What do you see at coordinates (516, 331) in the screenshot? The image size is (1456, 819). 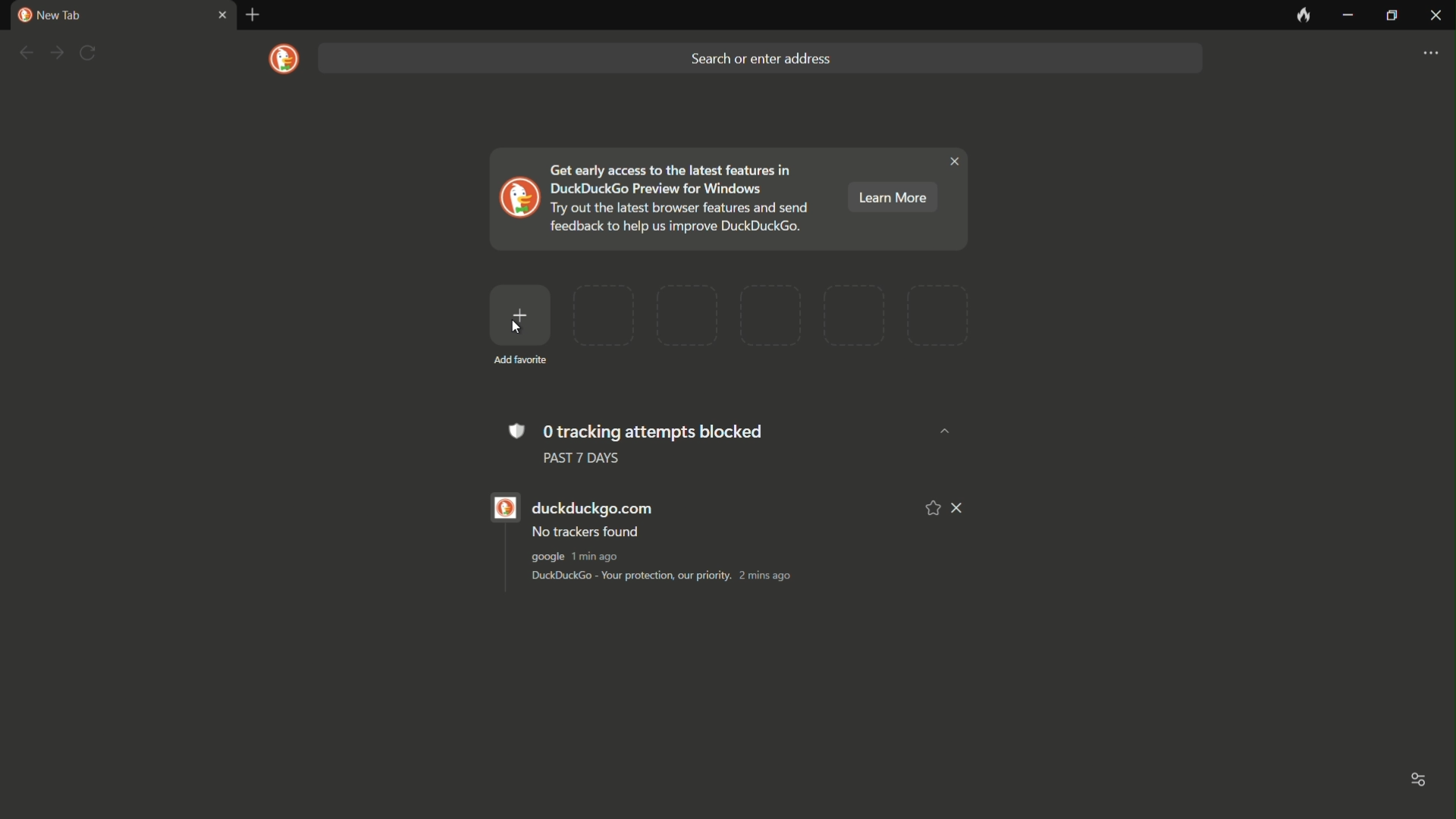 I see `cursor` at bounding box center [516, 331].